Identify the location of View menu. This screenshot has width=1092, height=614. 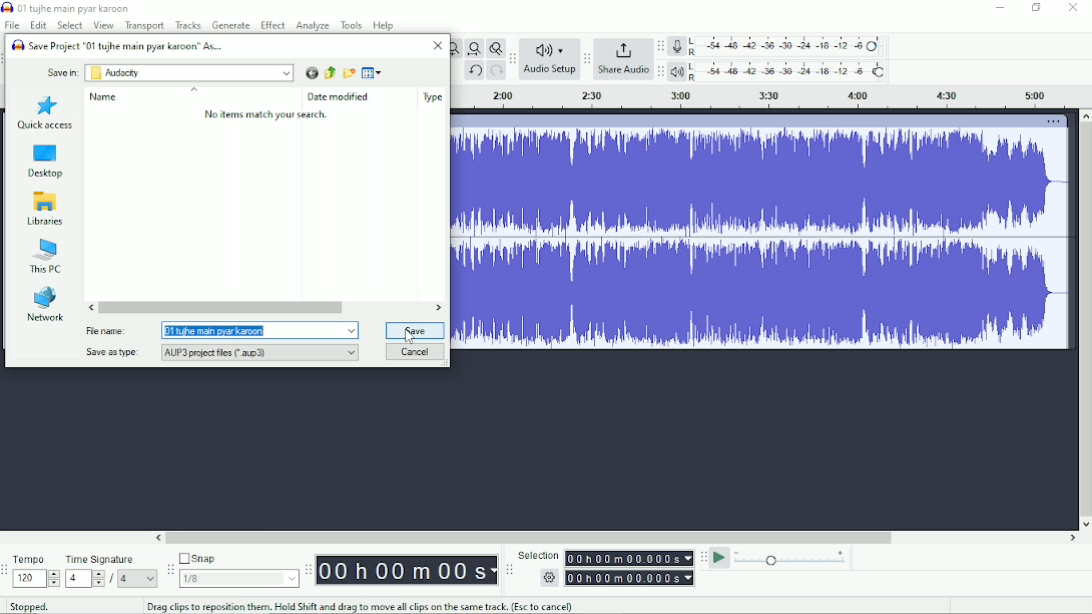
(371, 72).